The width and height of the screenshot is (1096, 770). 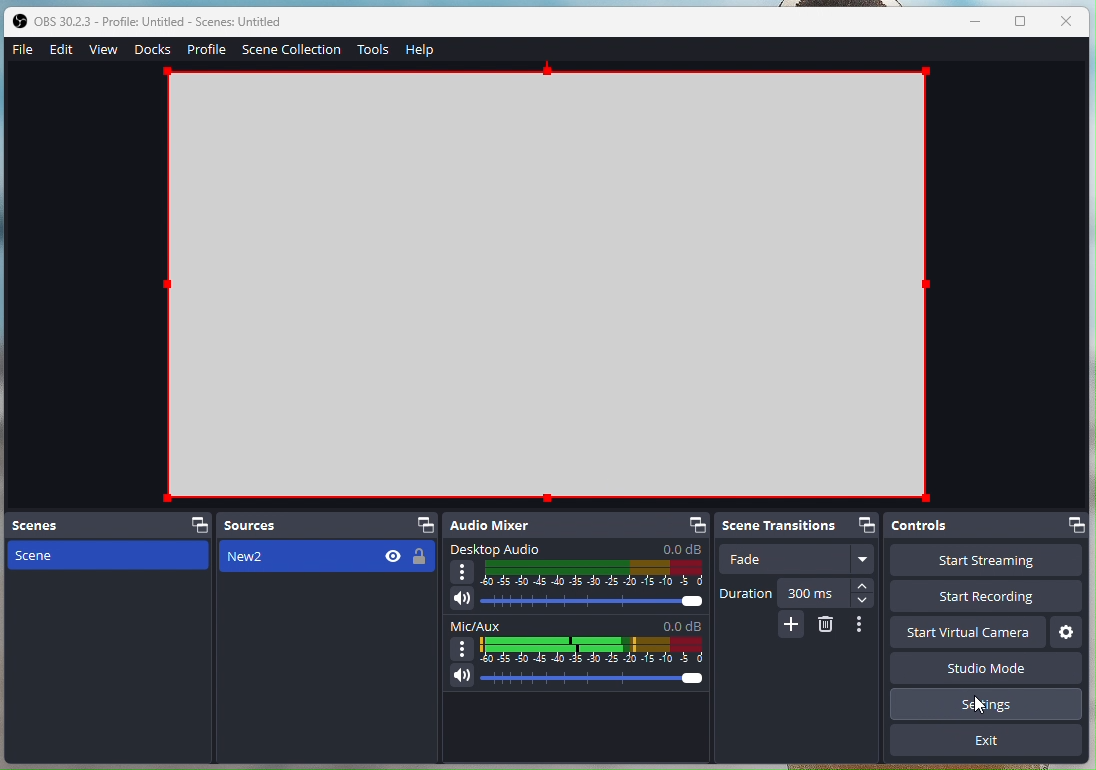 I want to click on audio level slider, so click(x=595, y=680).